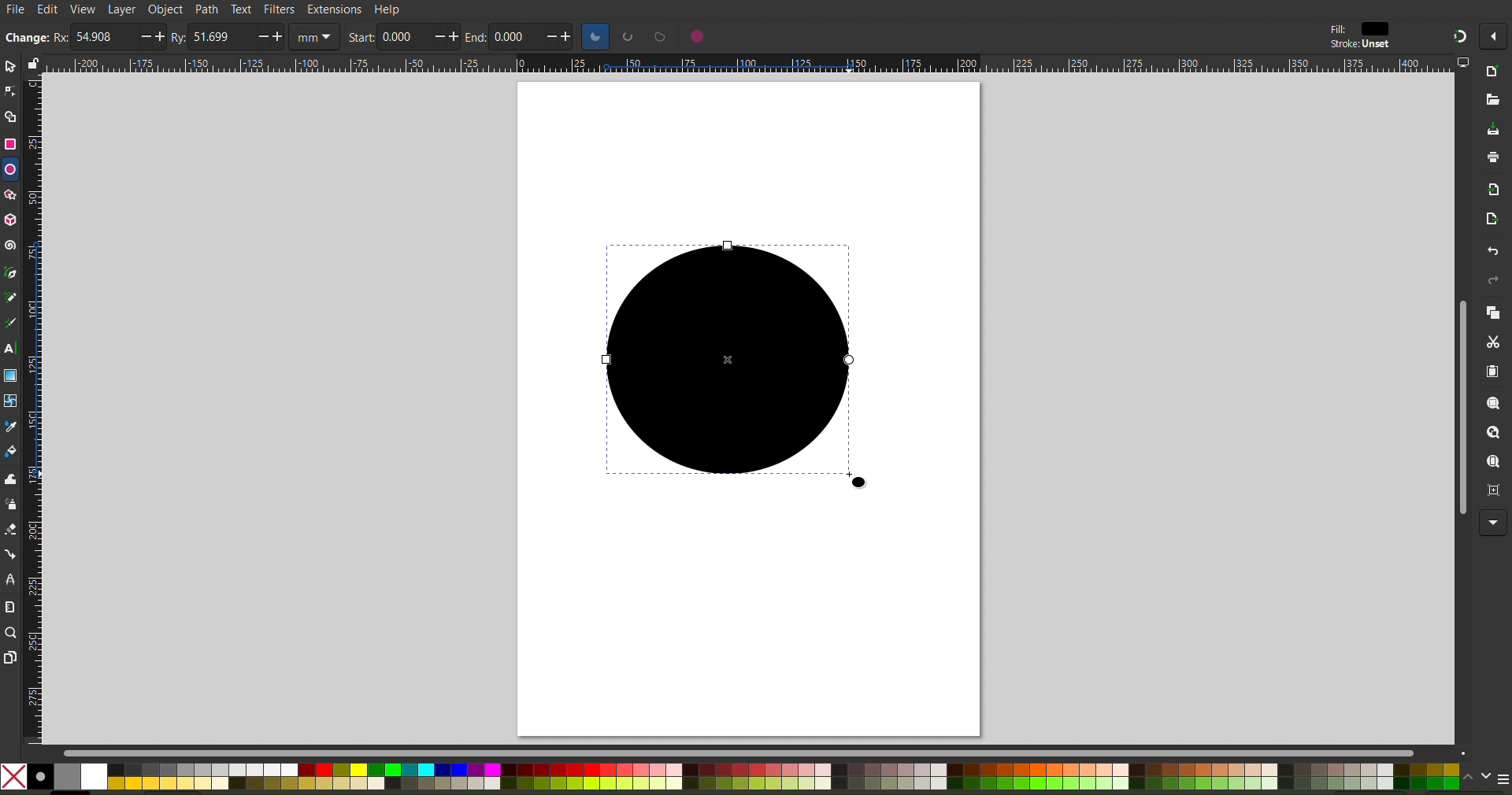 Image resolution: width=1512 pixels, height=795 pixels. Describe the element at coordinates (10, 606) in the screenshot. I see `Measure Tool` at that location.